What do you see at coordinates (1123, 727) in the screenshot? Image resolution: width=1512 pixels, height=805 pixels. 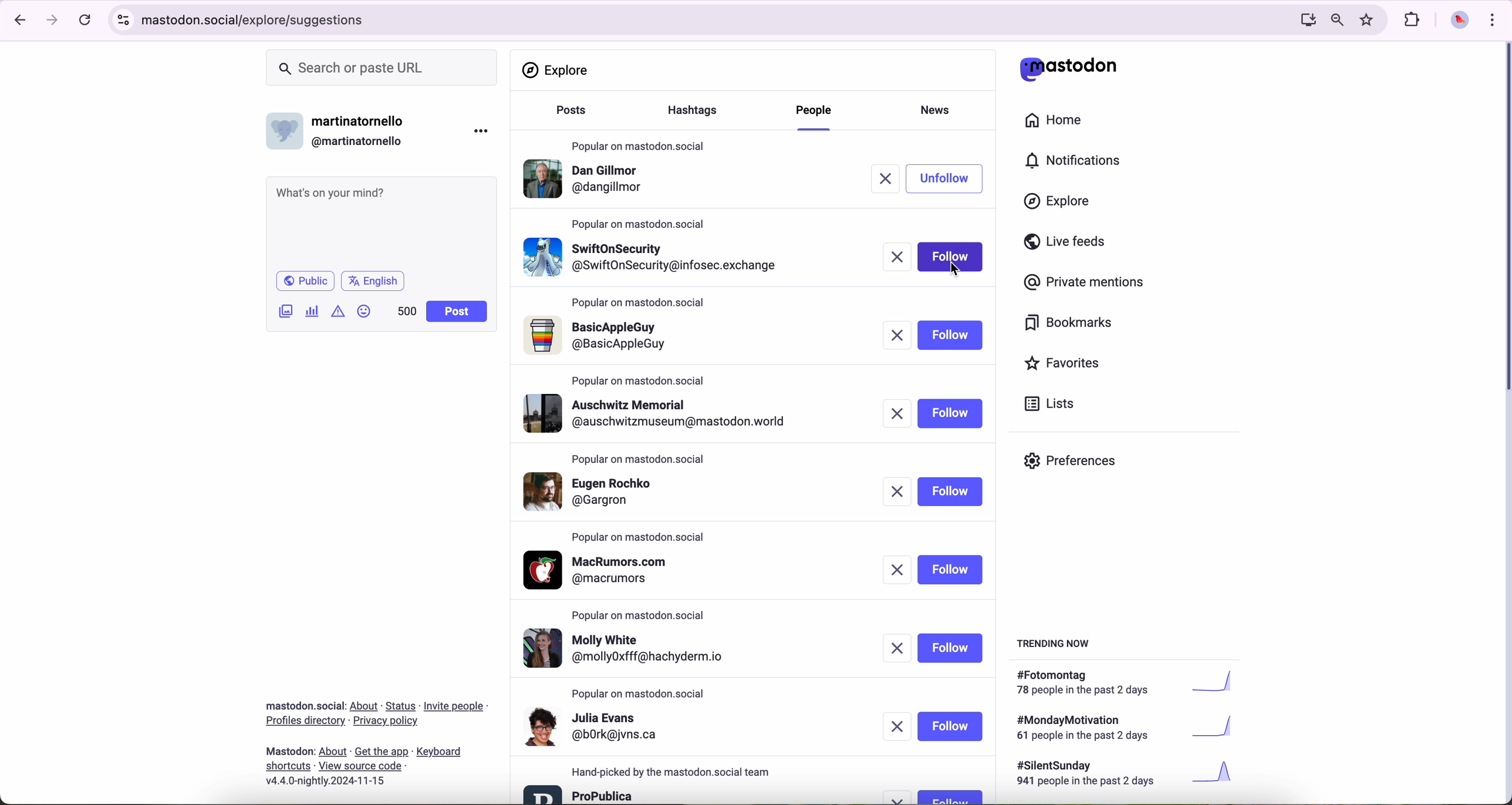 I see `#mondaymotivation` at bounding box center [1123, 727].